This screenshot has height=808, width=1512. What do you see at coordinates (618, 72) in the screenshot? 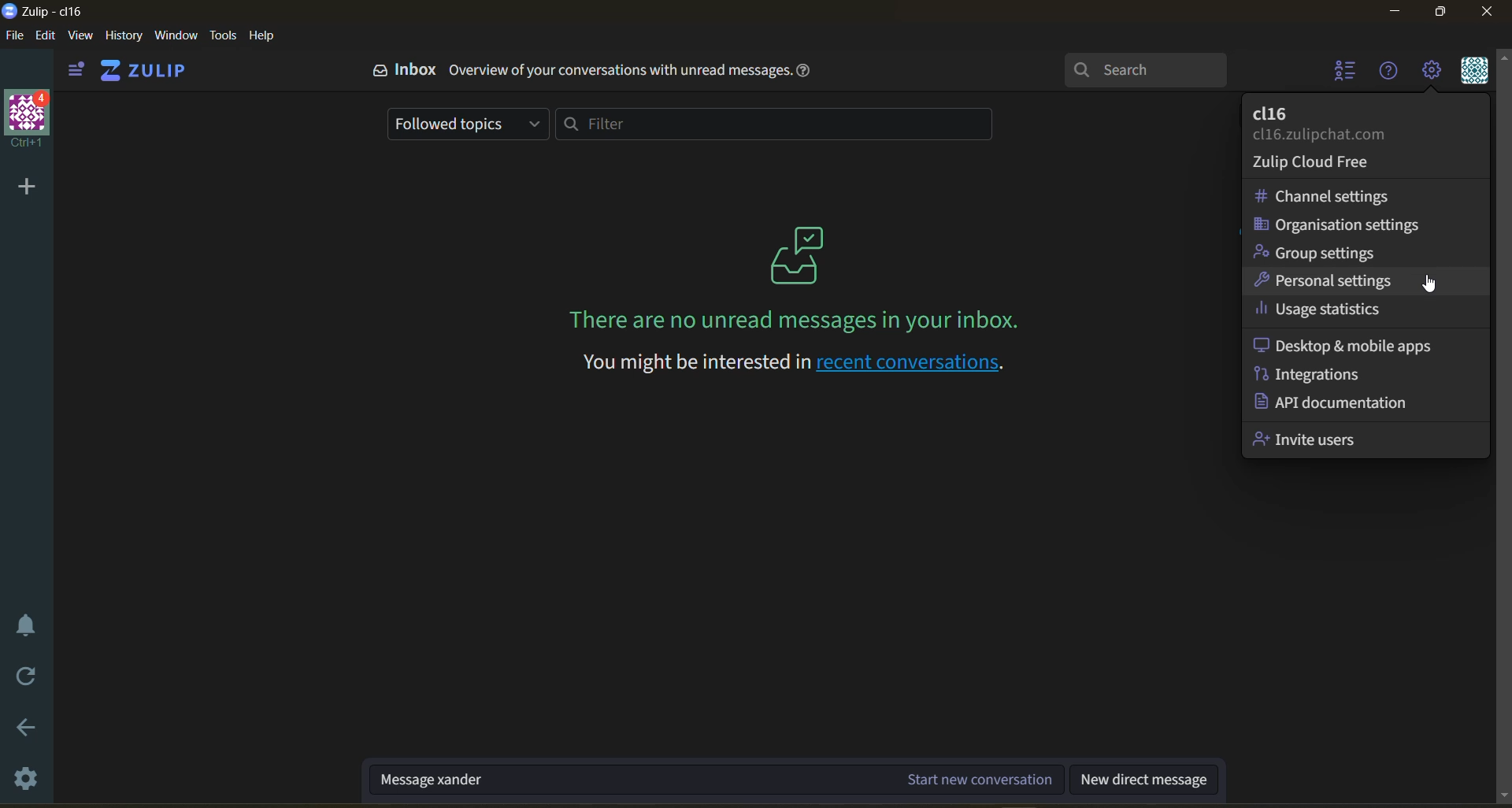
I see `Overview of your conversations with unread messages.` at bounding box center [618, 72].